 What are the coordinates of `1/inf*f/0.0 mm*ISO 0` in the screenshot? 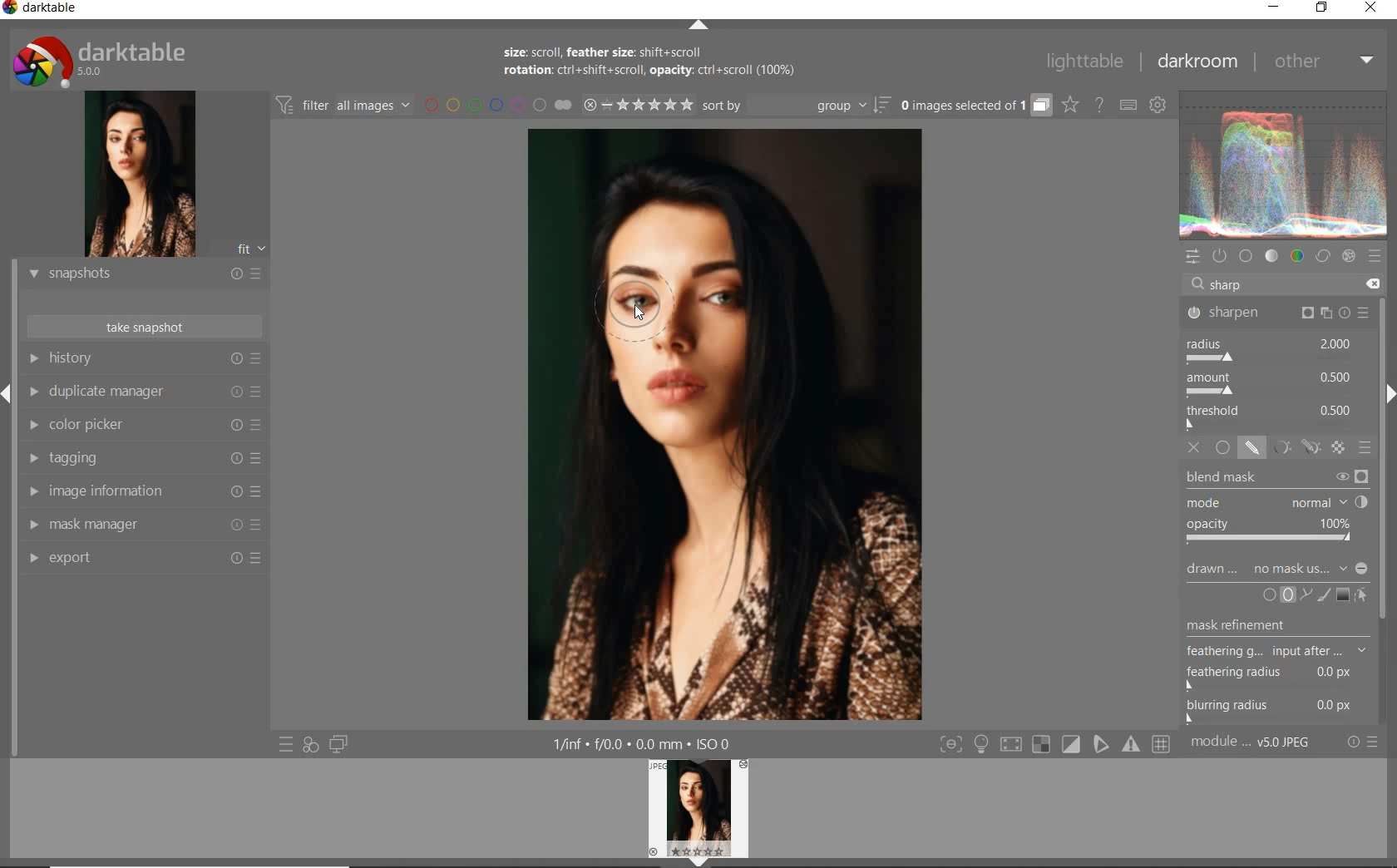 It's located at (644, 743).